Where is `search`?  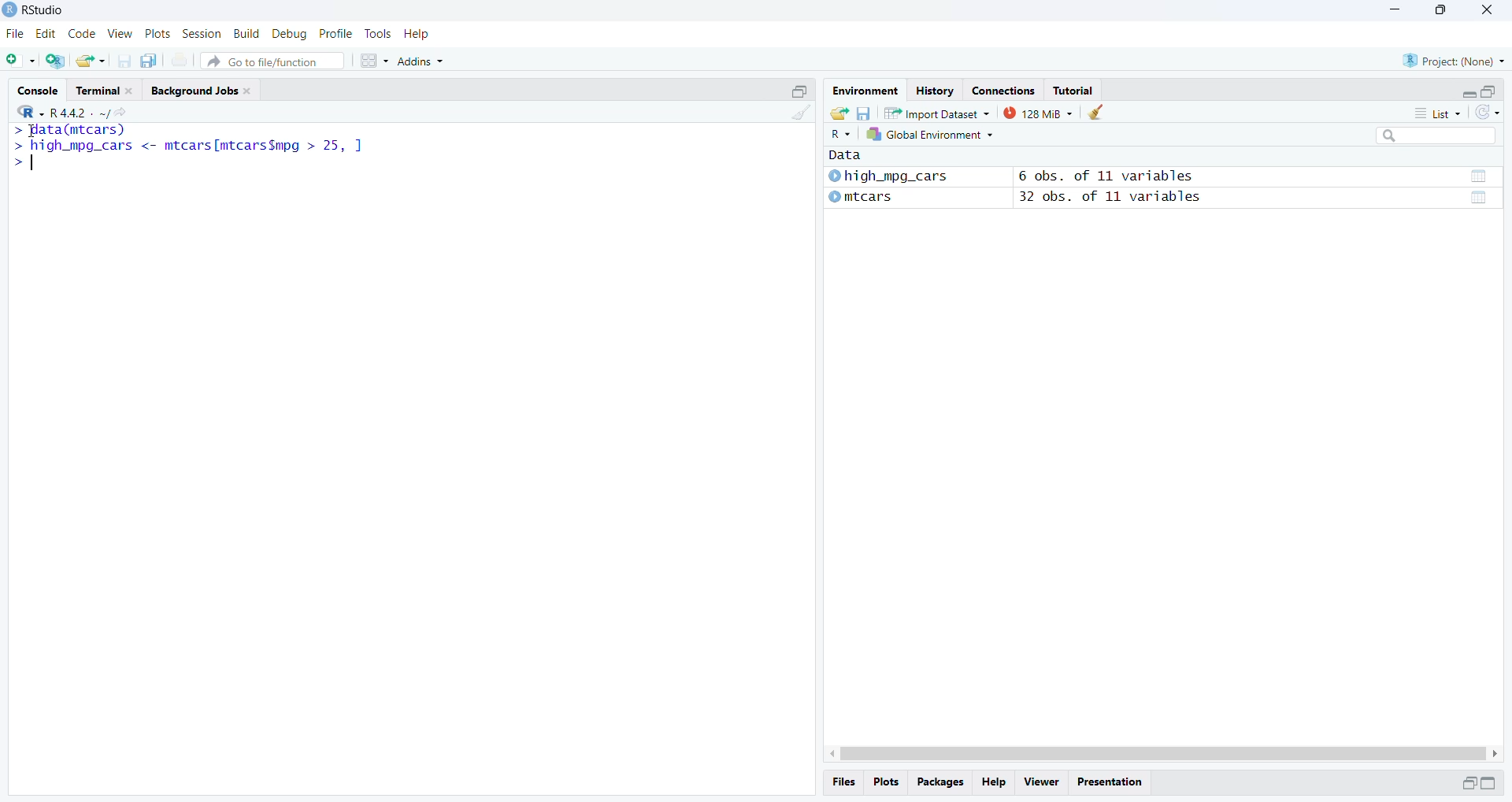 search is located at coordinates (1436, 136).